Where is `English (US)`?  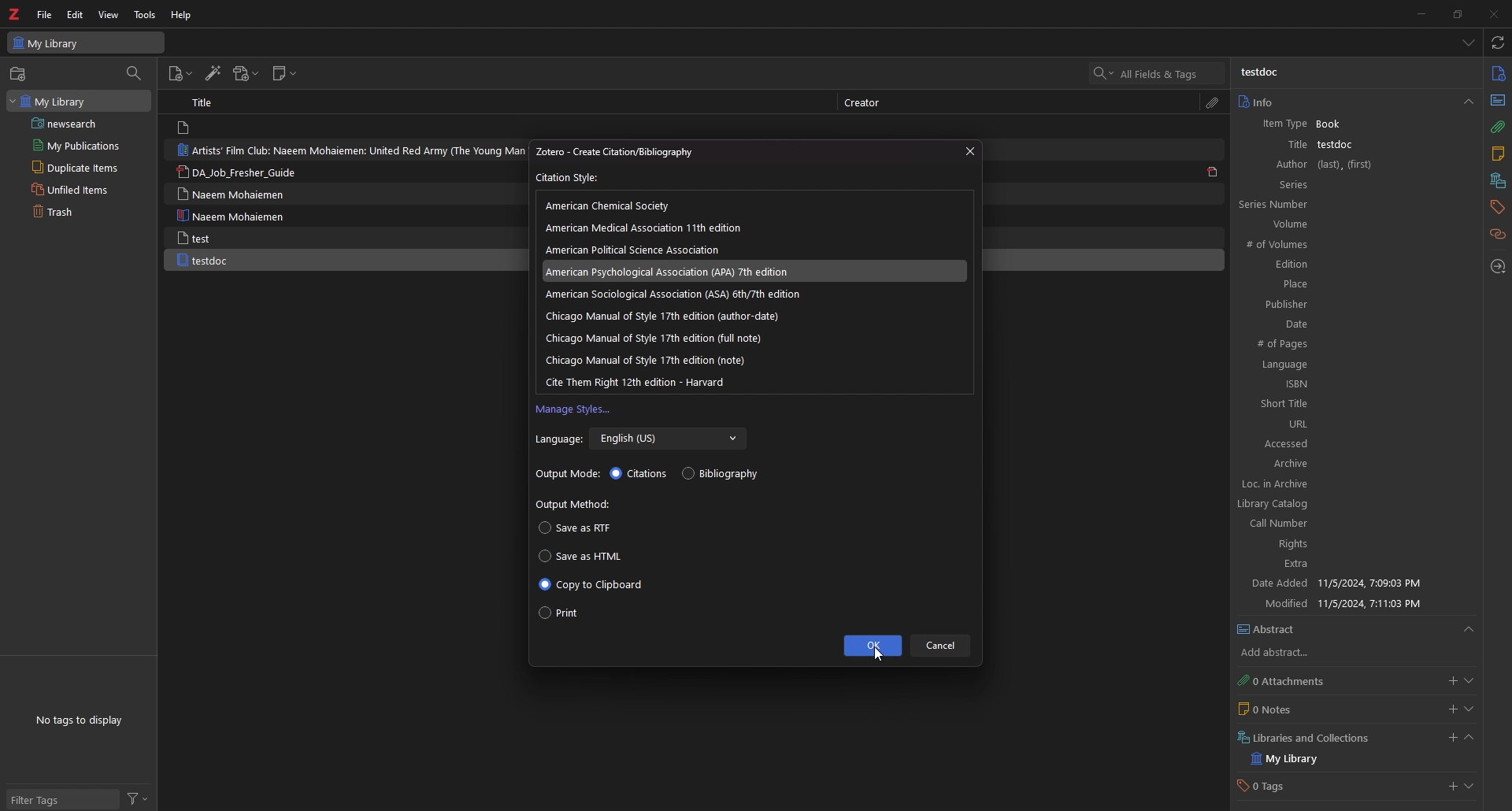 English (US) is located at coordinates (669, 439).